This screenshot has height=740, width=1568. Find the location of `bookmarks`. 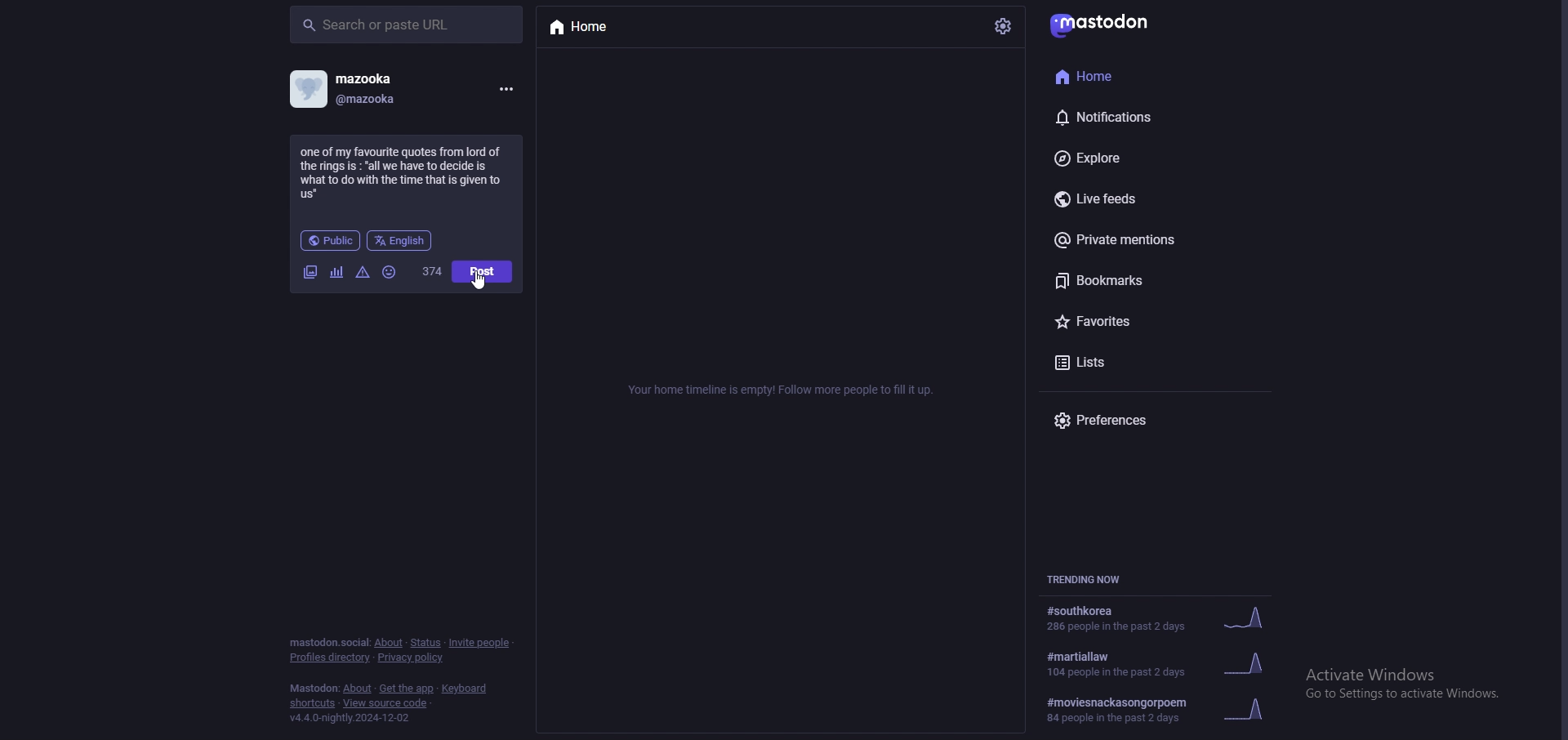

bookmarks is located at coordinates (1147, 280).